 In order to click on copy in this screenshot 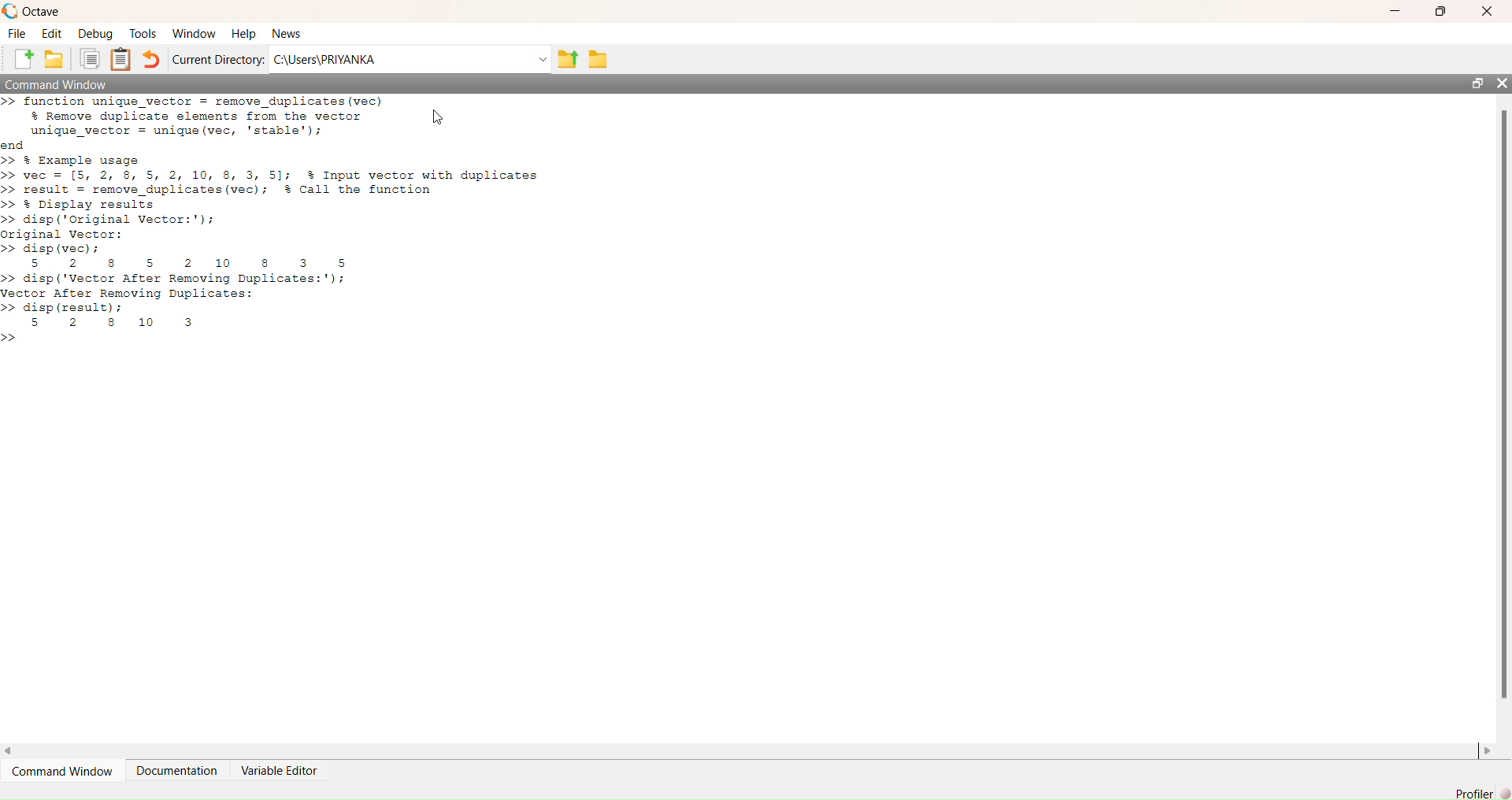, I will do `click(89, 59)`.